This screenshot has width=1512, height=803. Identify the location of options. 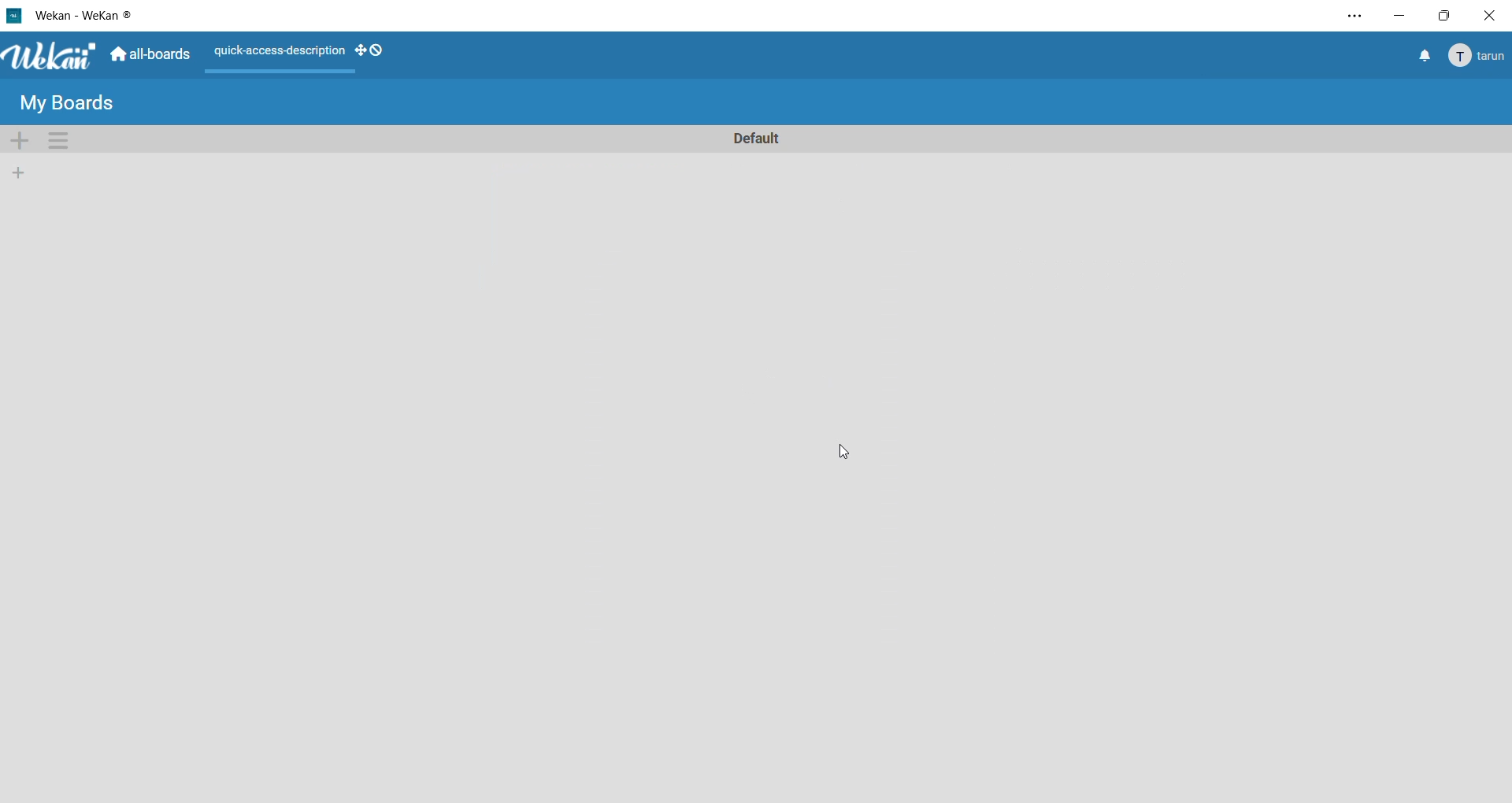
(1347, 19).